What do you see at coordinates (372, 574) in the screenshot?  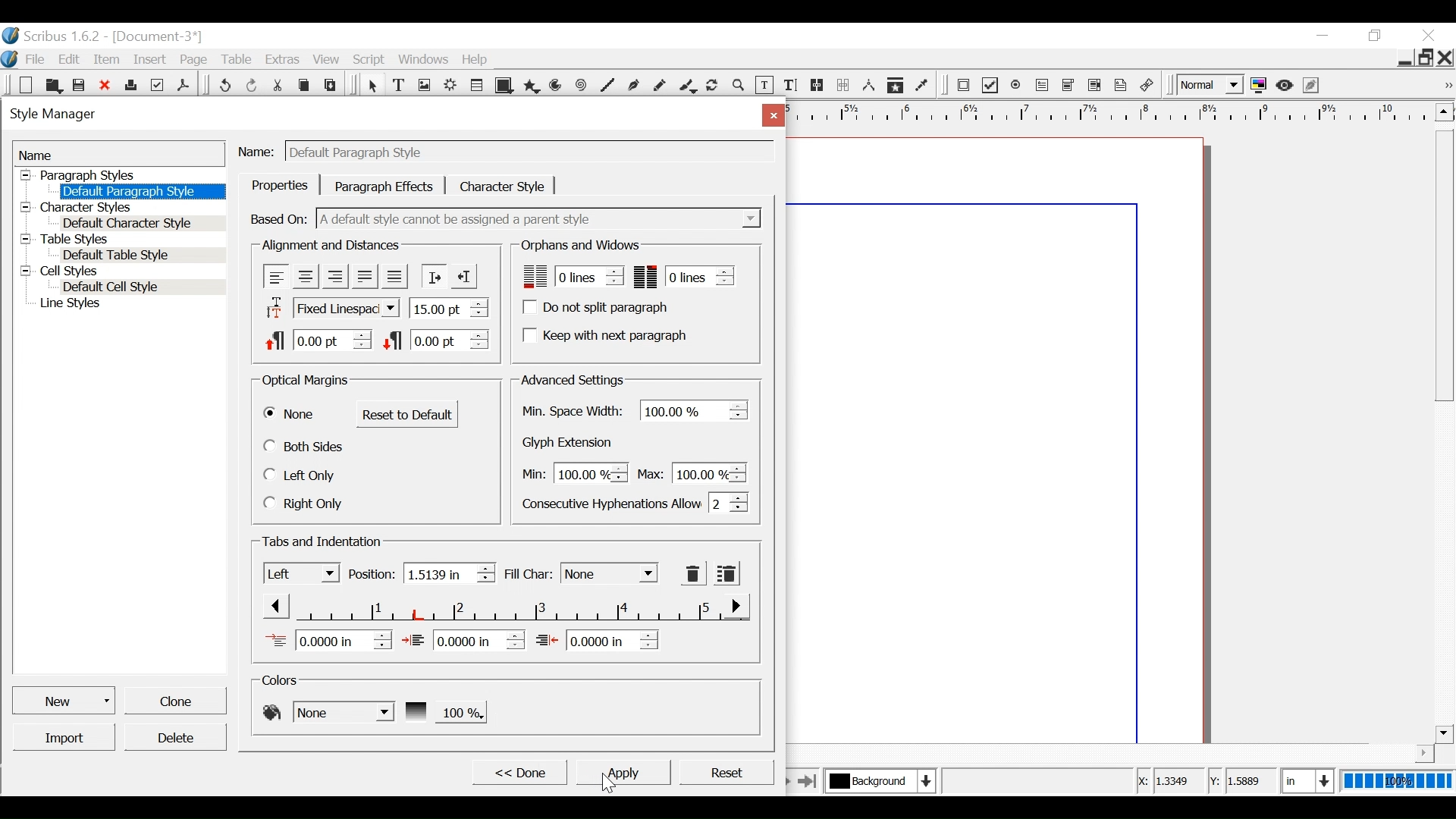 I see `Position` at bounding box center [372, 574].